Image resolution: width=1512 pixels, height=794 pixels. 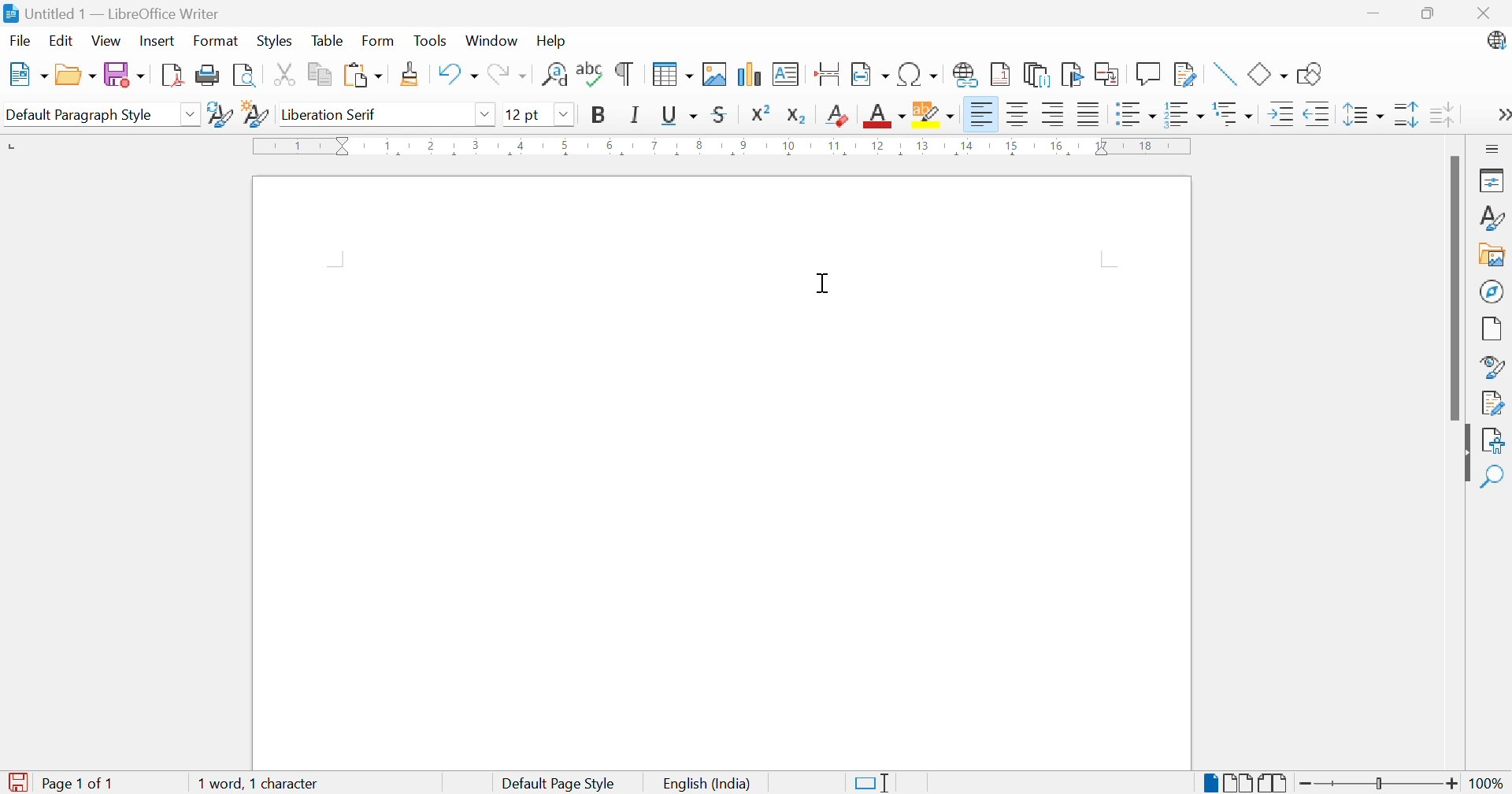 I want to click on Insert Field, so click(x=869, y=74).